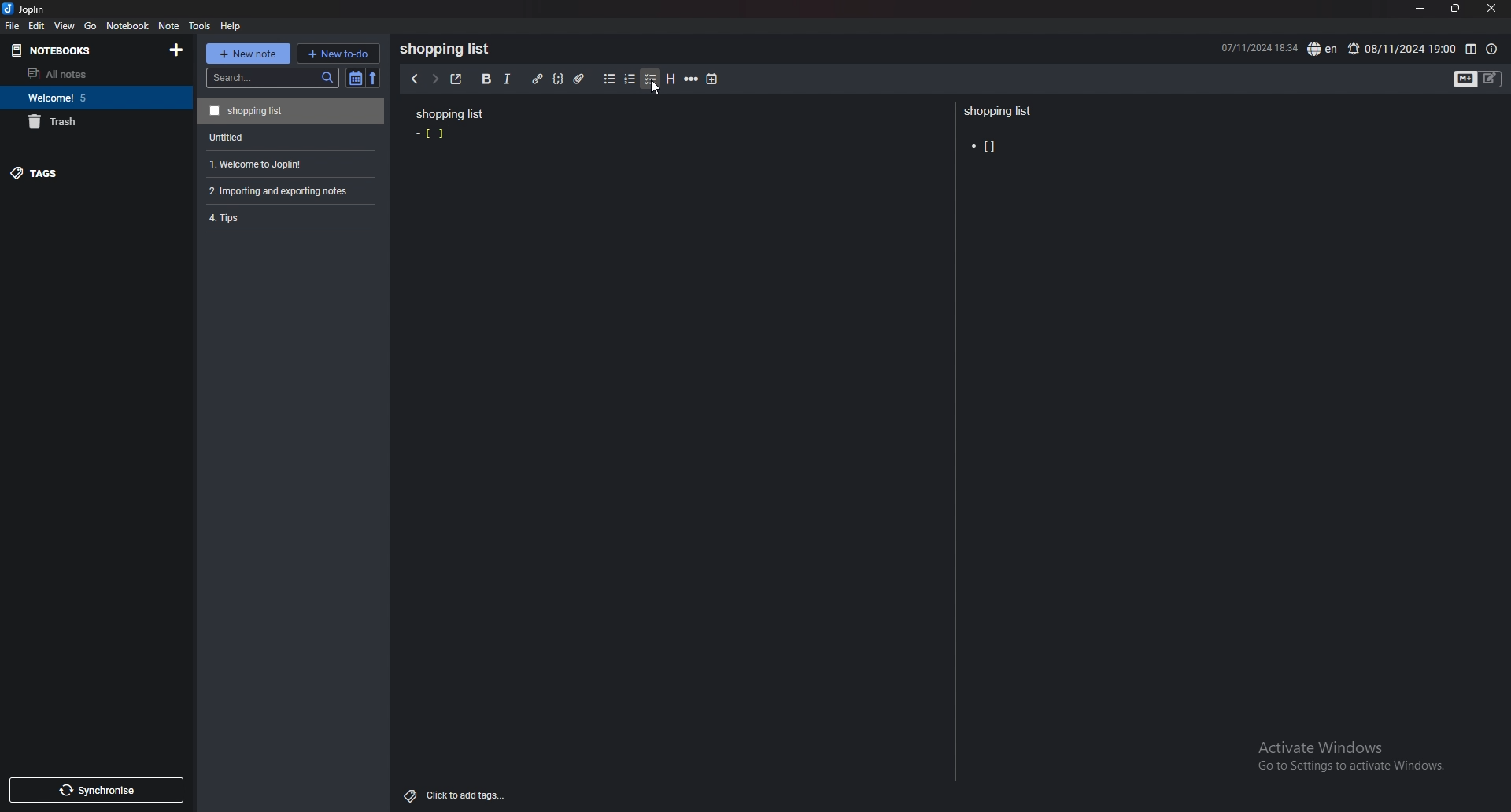 The image size is (1511, 812). Describe the element at coordinates (456, 796) in the screenshot. I see `add tags` at that location.